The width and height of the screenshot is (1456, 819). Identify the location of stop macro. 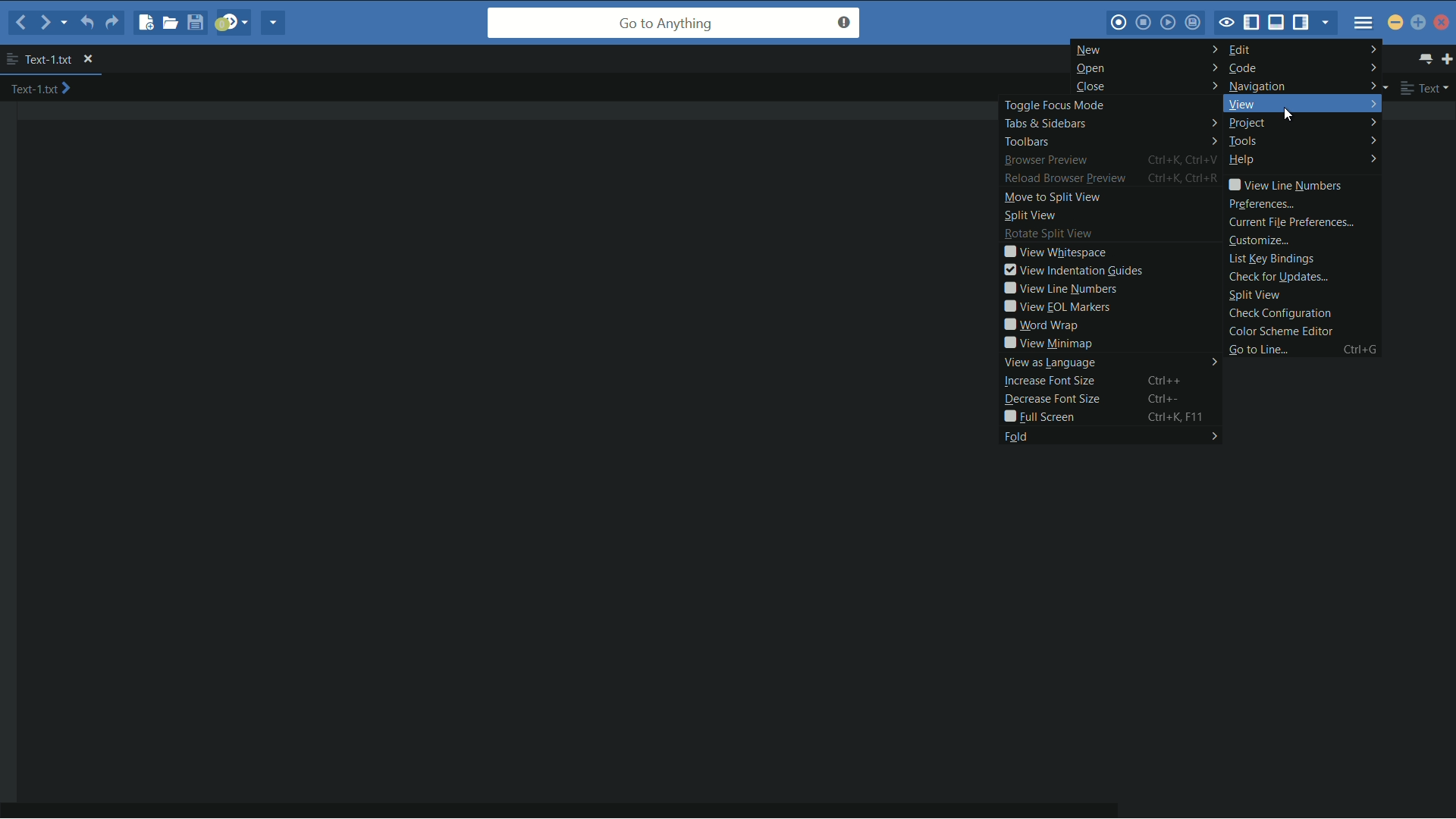
(1143, 24).